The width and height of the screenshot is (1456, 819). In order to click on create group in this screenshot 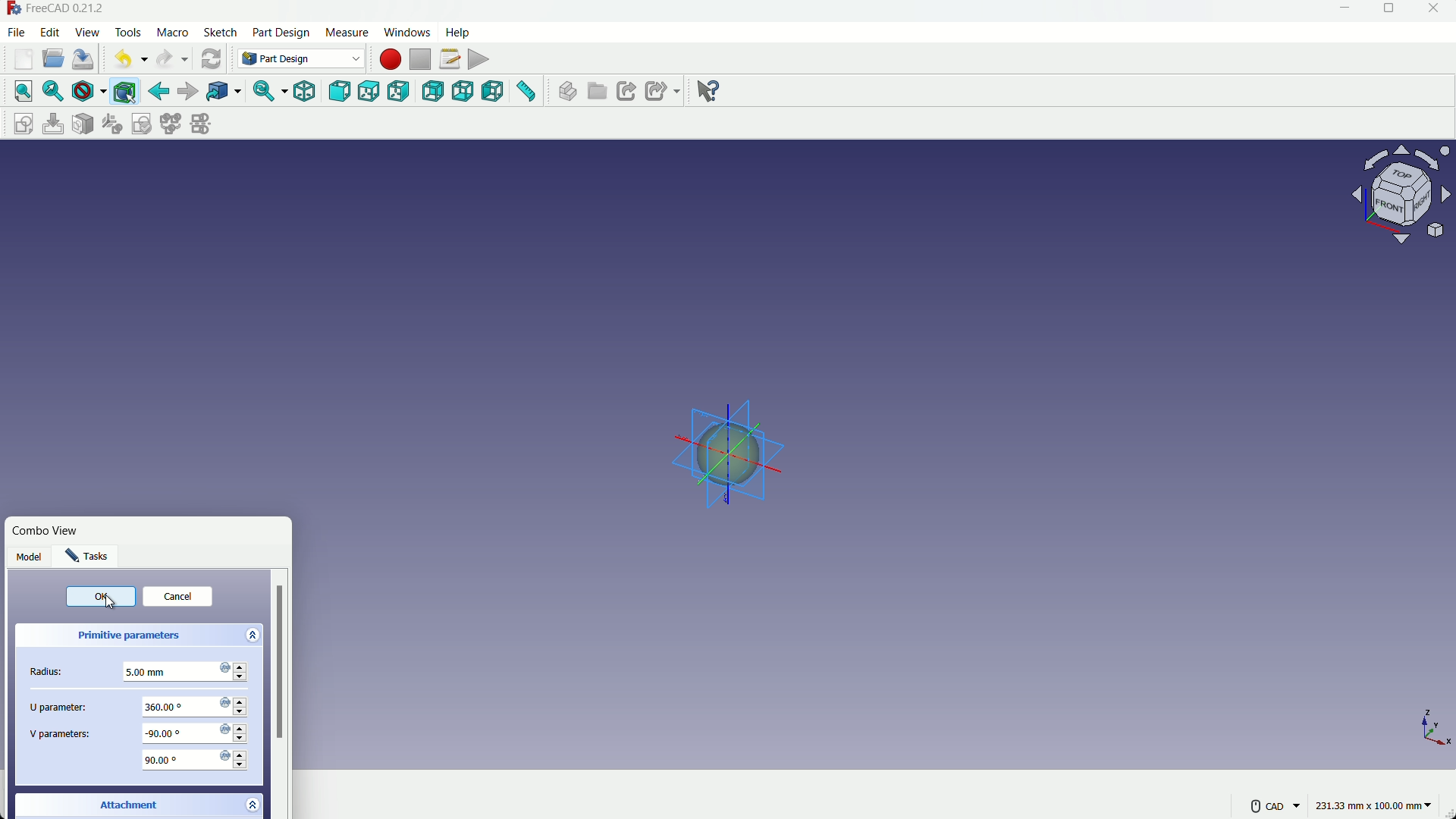, I will do `click(596, 93)`.